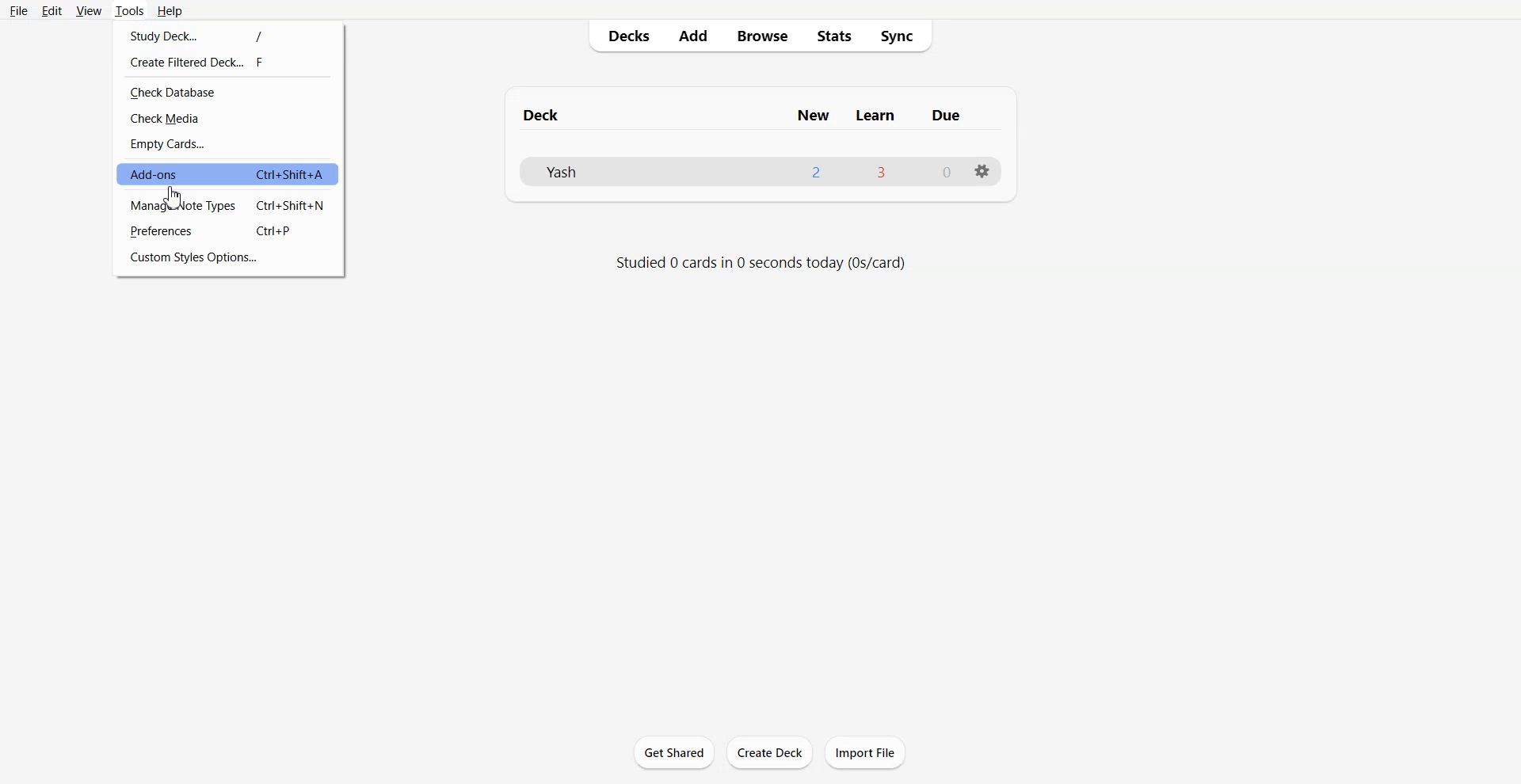 This screenshot has height=784, width=1521. What do you see at coordinates (88, 11) in the screenshot?
I see `View` at bounding box center [88, 11].